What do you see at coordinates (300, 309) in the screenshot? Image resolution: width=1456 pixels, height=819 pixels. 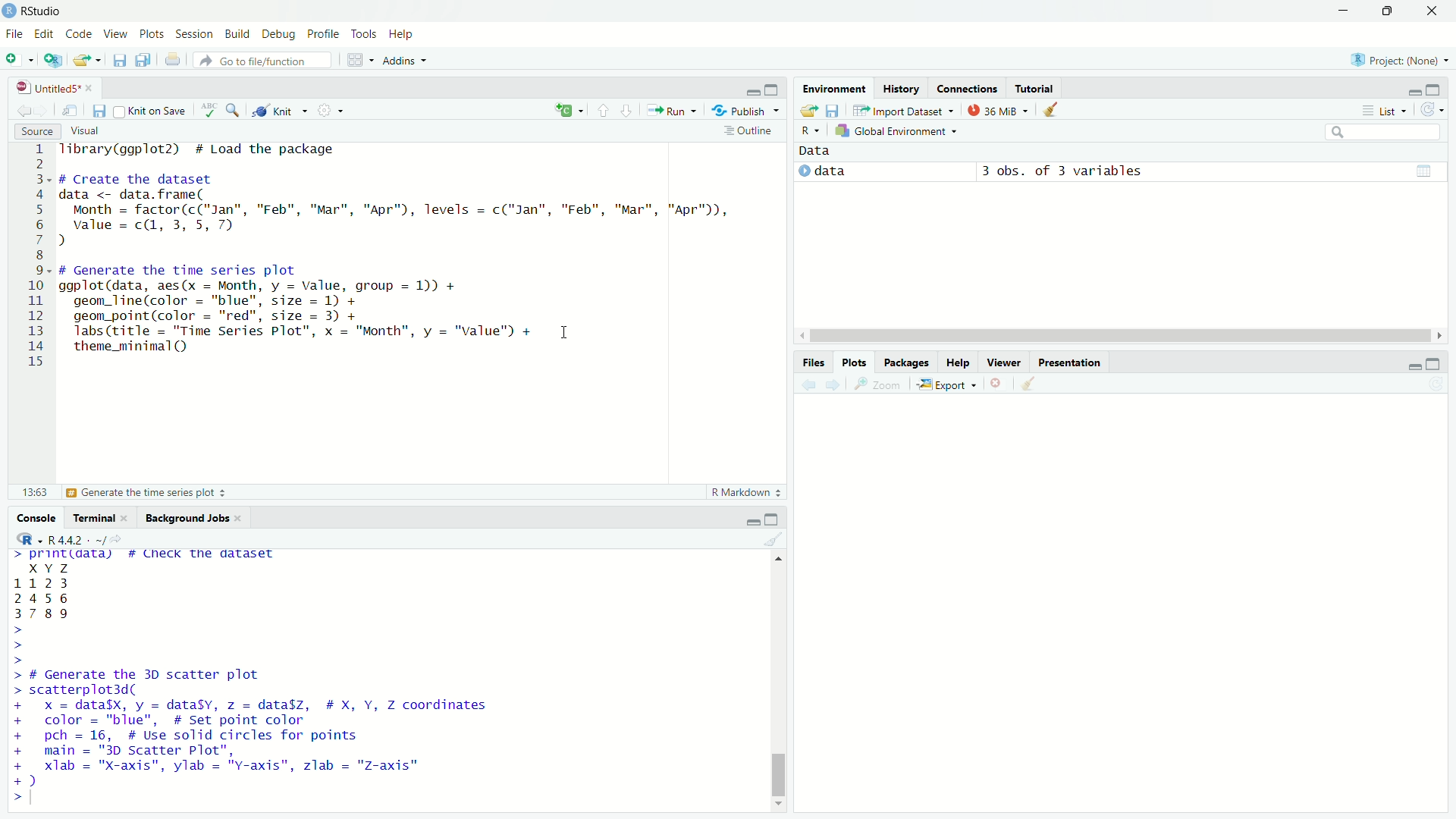 I see `code to generate the time series plot` at bounding box center [300, 309].